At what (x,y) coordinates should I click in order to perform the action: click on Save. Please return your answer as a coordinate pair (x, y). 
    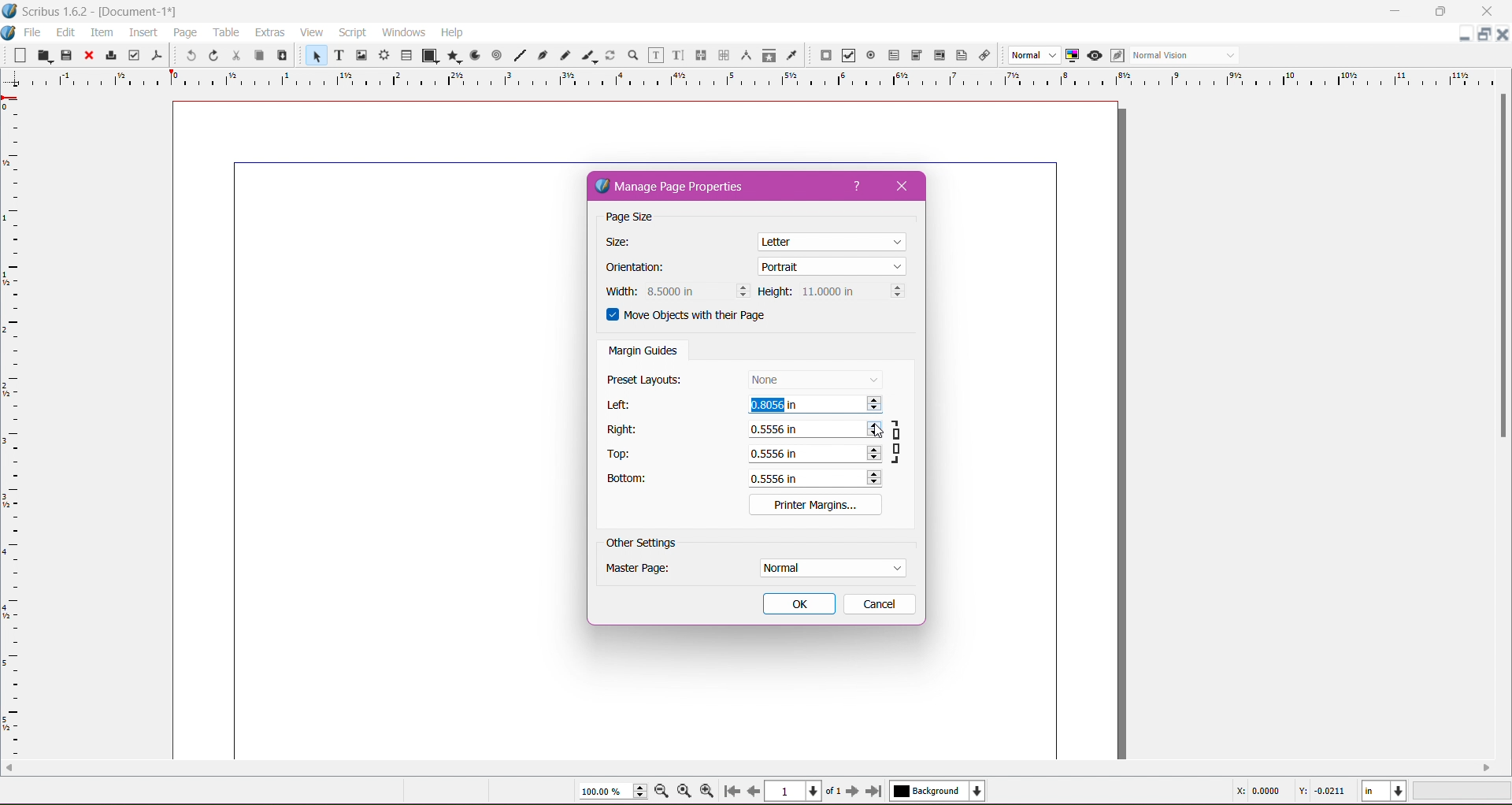
    Looking at the image, I should click on (67, 54).